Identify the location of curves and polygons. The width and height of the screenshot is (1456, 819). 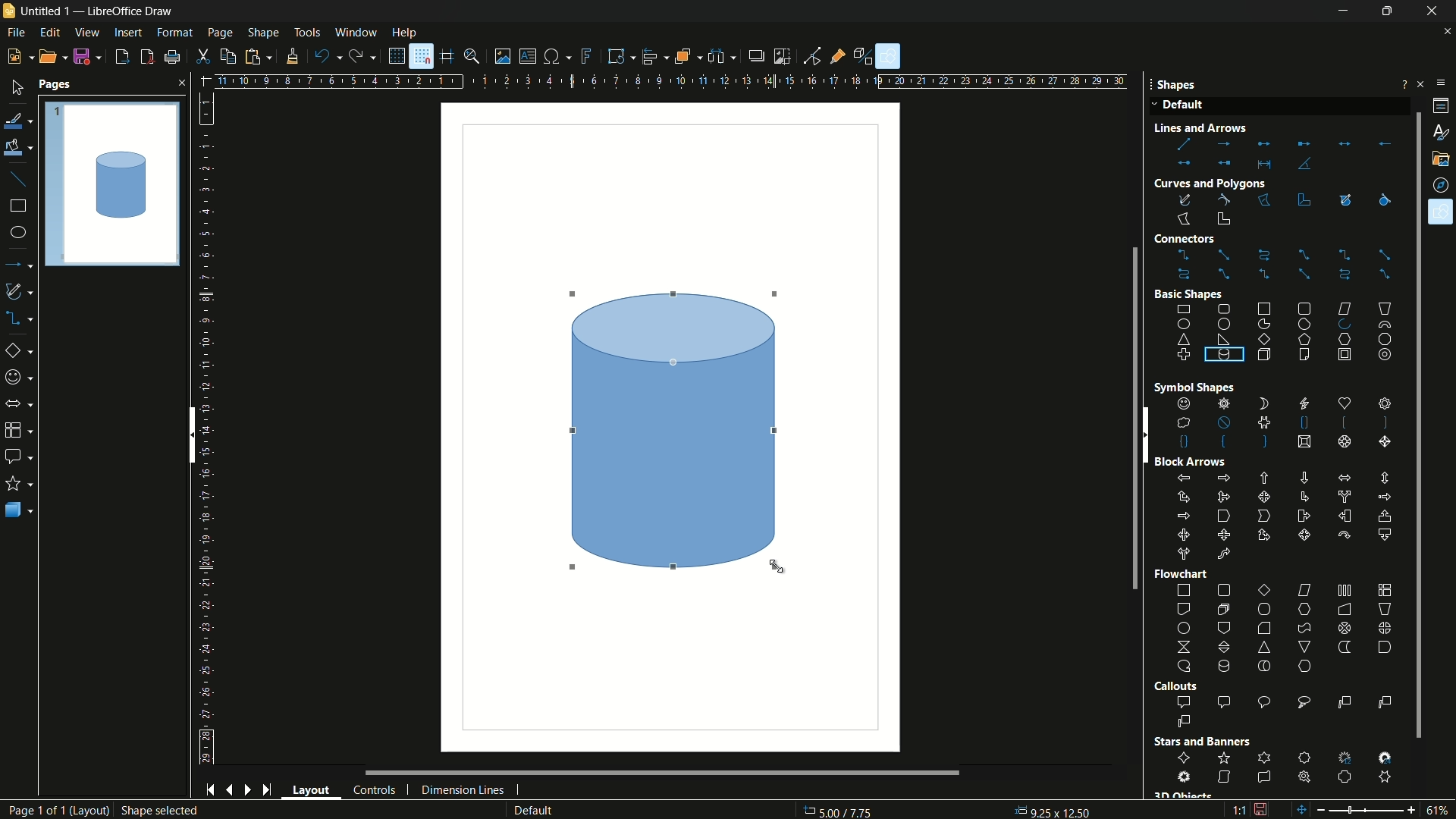
(1208, 208).